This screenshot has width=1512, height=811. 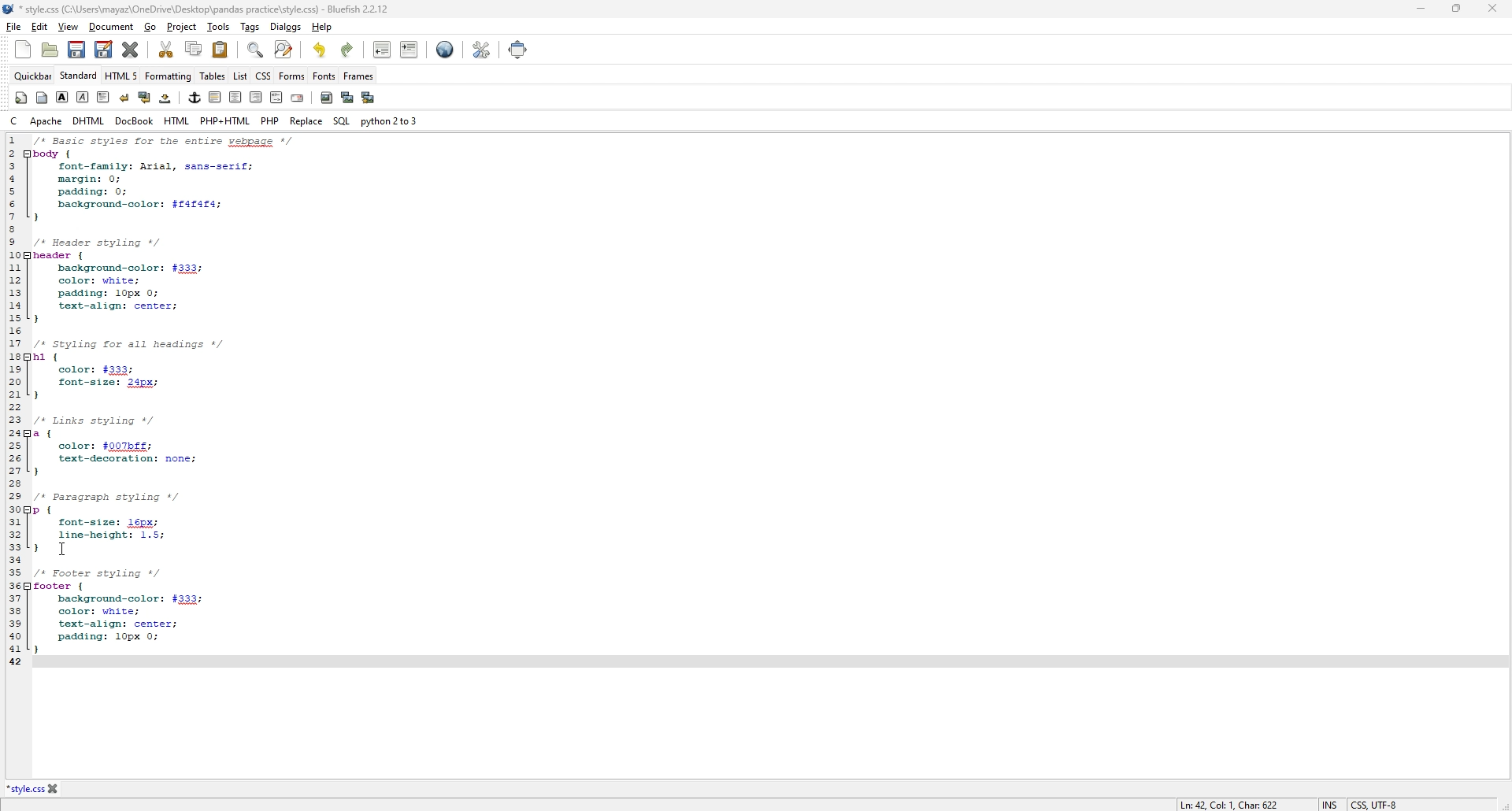 What do you see at coordinates (321, 50) in the screenshot?
I see `undo` at bounding box center [321, 50].